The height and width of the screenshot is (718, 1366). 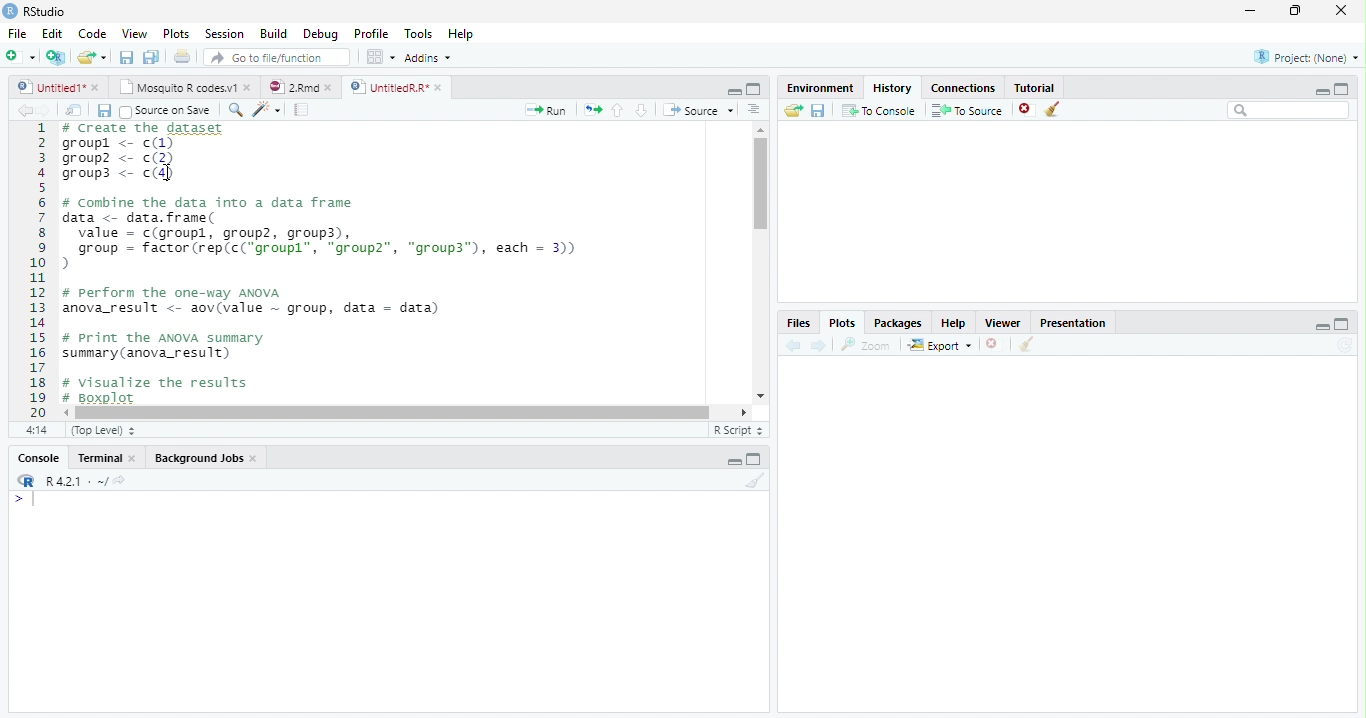 What do you see at coordinates (731, 90) in the screenshot?
I see `Minimize` at bounding box center [731, 90].